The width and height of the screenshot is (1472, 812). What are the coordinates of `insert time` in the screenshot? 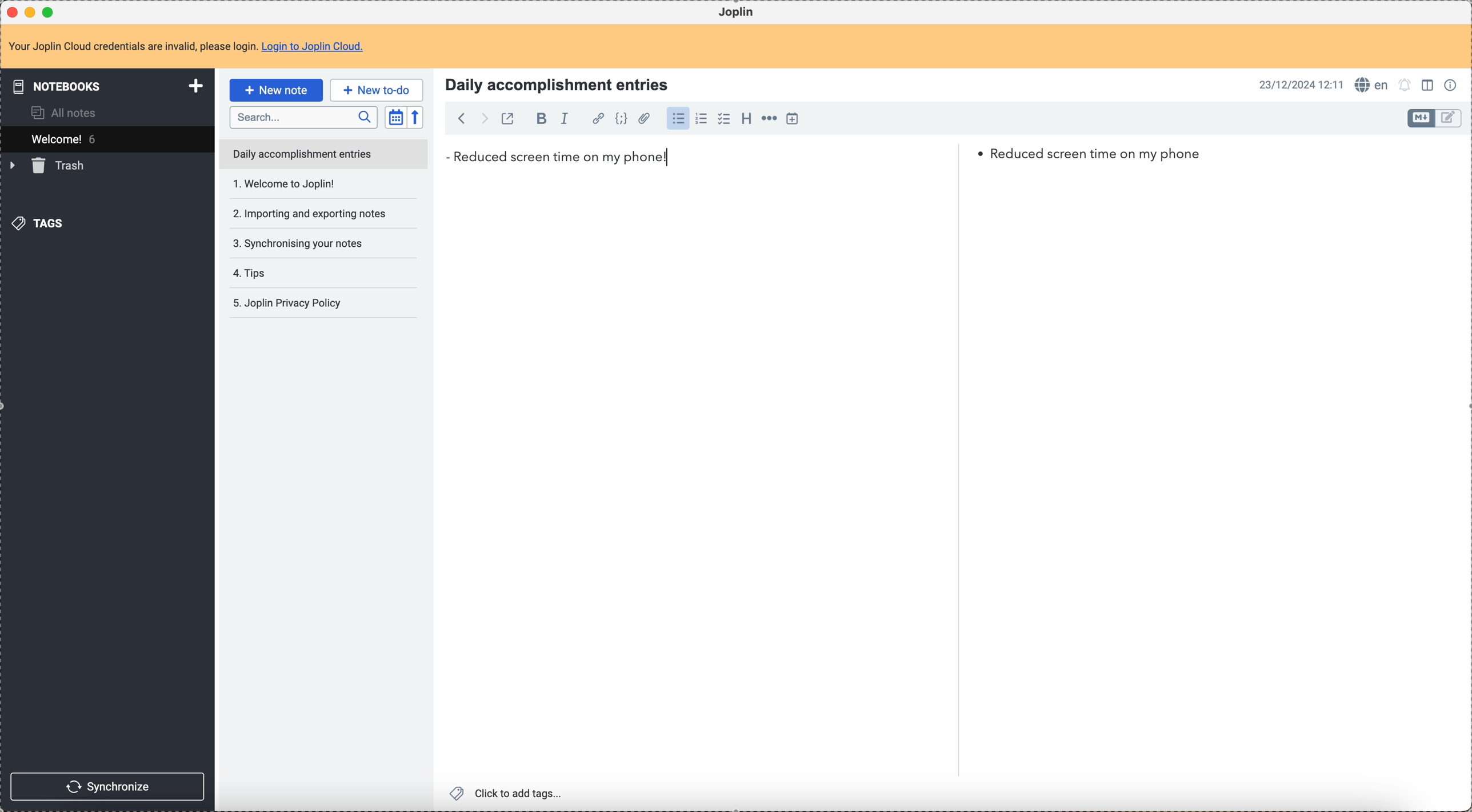 It's located at (792, 119).